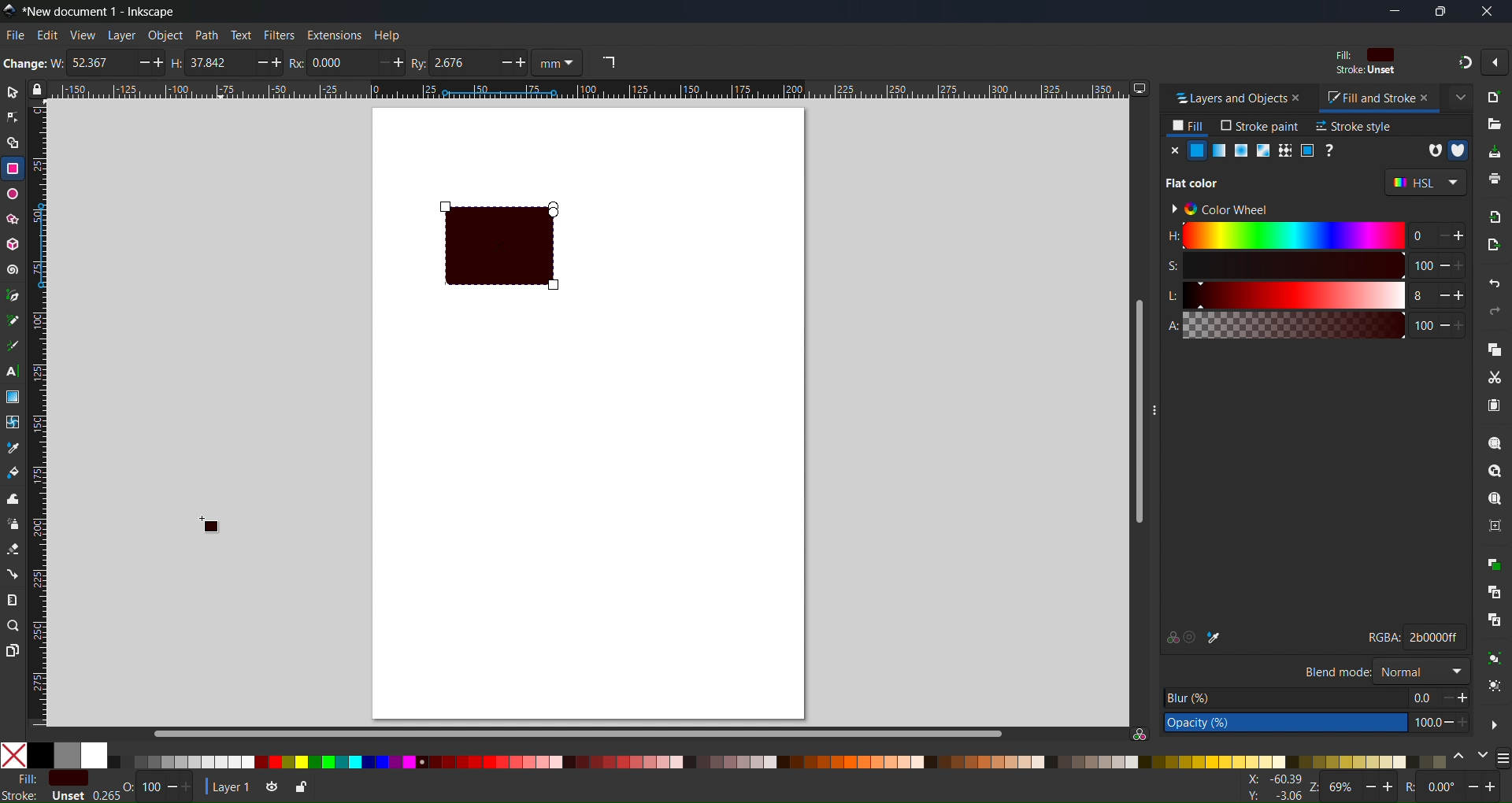  I want to click on Unlink clone, so click(1494, 621).